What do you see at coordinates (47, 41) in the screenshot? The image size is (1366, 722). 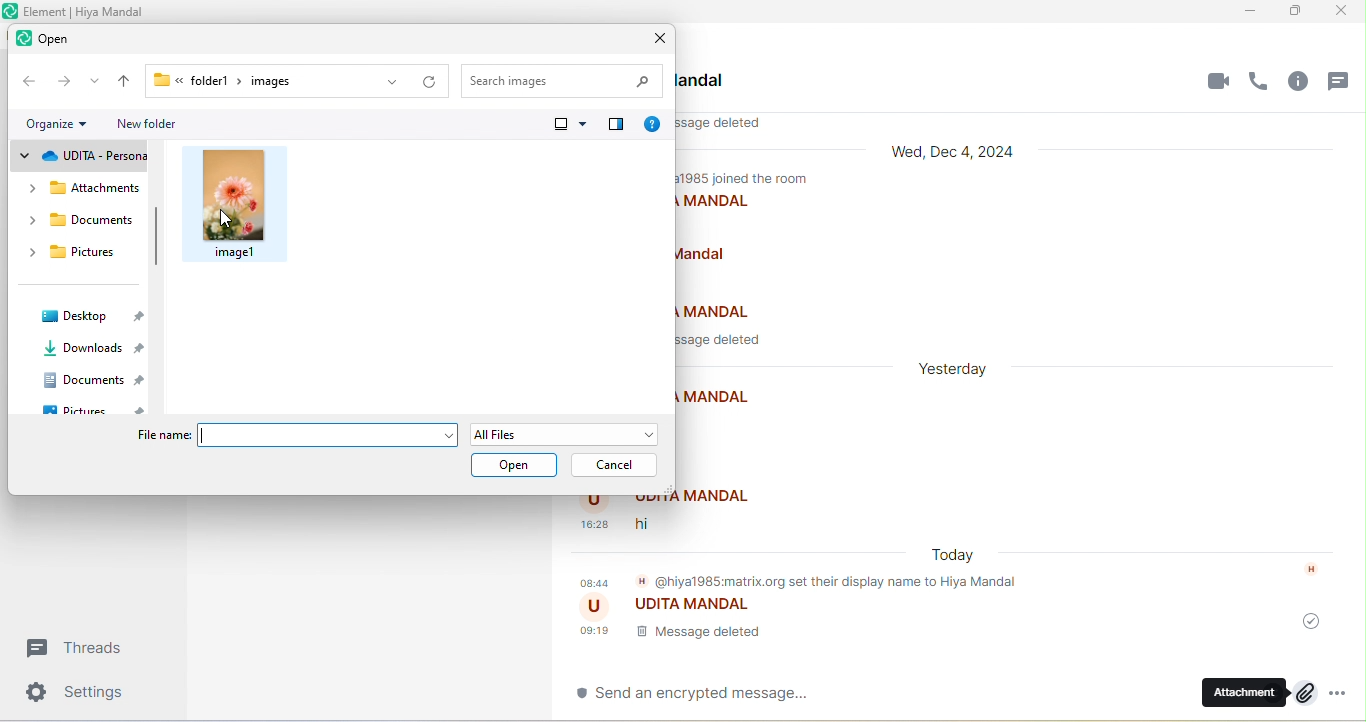 I see `open` at bounding box center [47, 41].